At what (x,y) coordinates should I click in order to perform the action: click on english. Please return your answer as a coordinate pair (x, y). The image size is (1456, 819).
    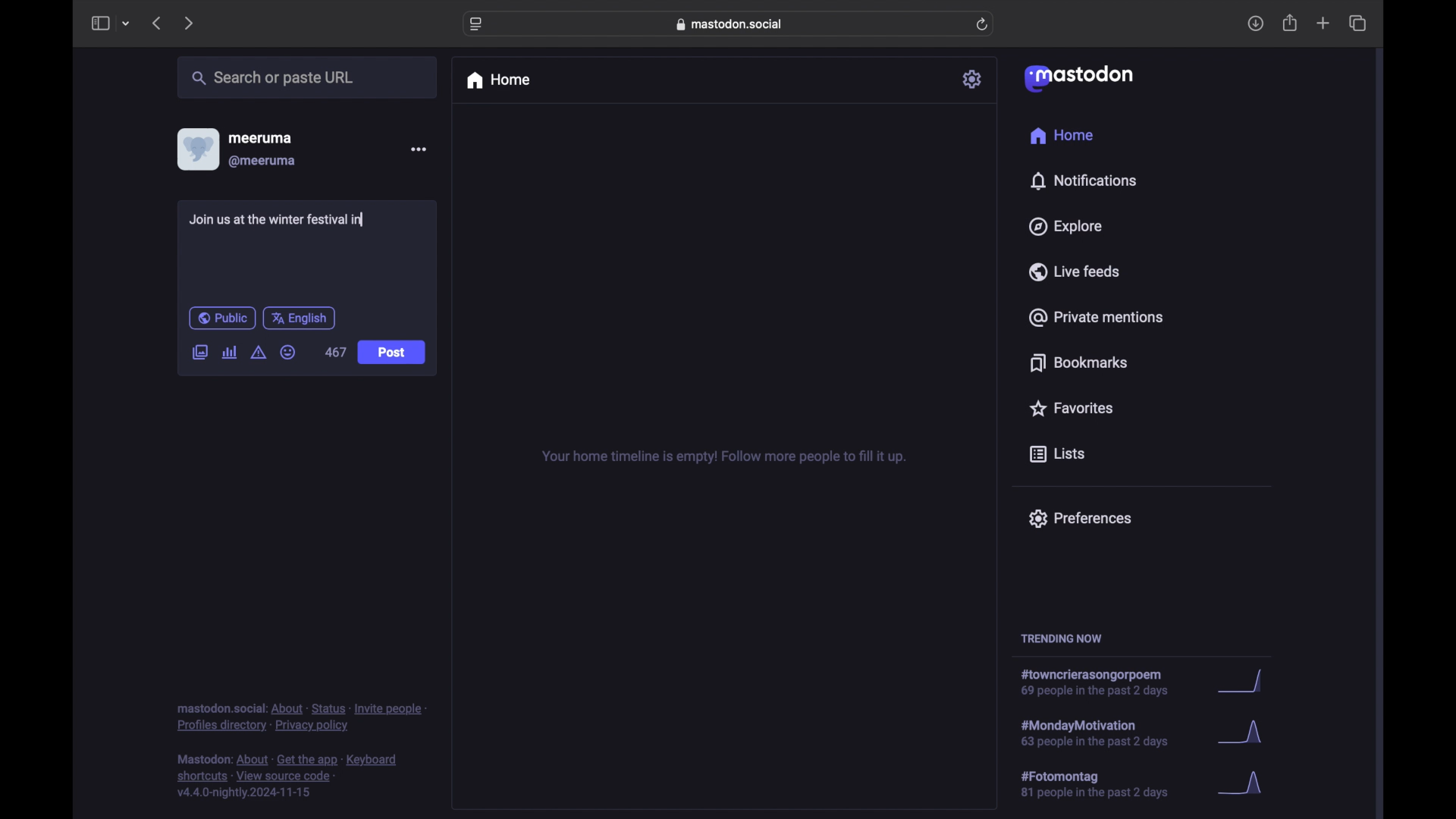
    Looking at the image, I should click on (300, 318).